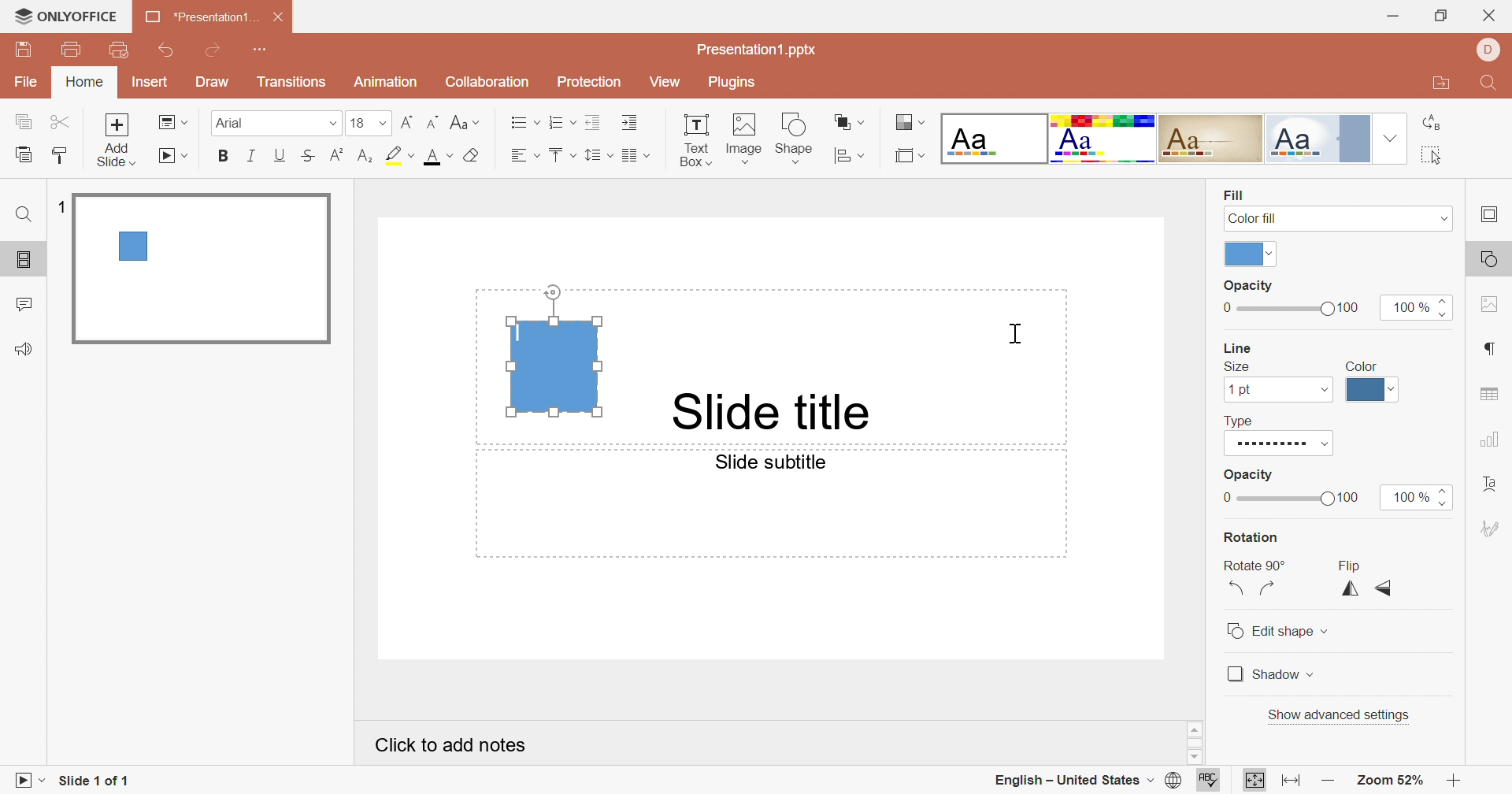 This screenshot has width=1512, height=794. What do you see at coordinates (1284, 310) in the screenshot?
I see `Slider` at bounding box center [1284, 310].